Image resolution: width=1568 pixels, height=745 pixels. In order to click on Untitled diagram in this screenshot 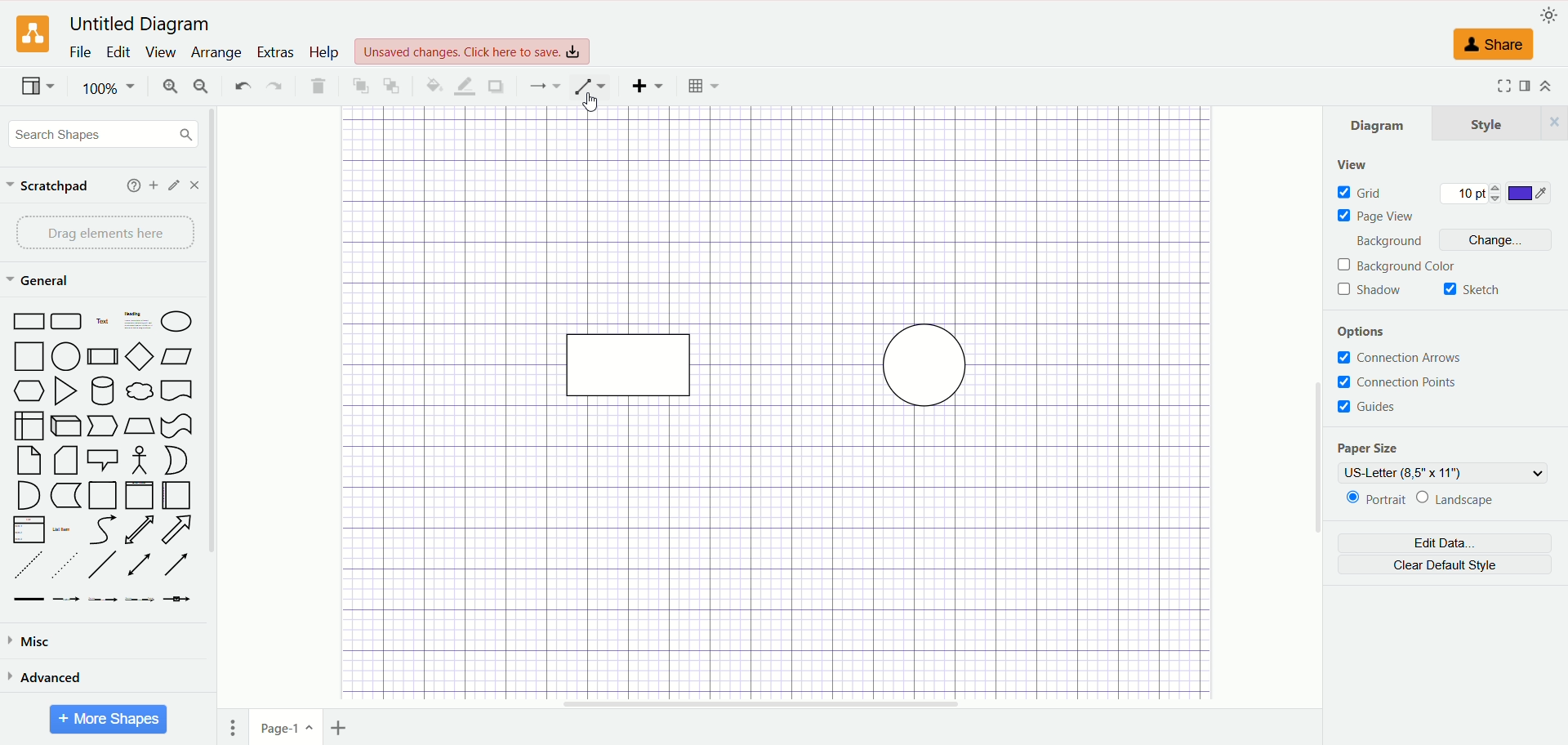, I will do `click(140, 25)`.